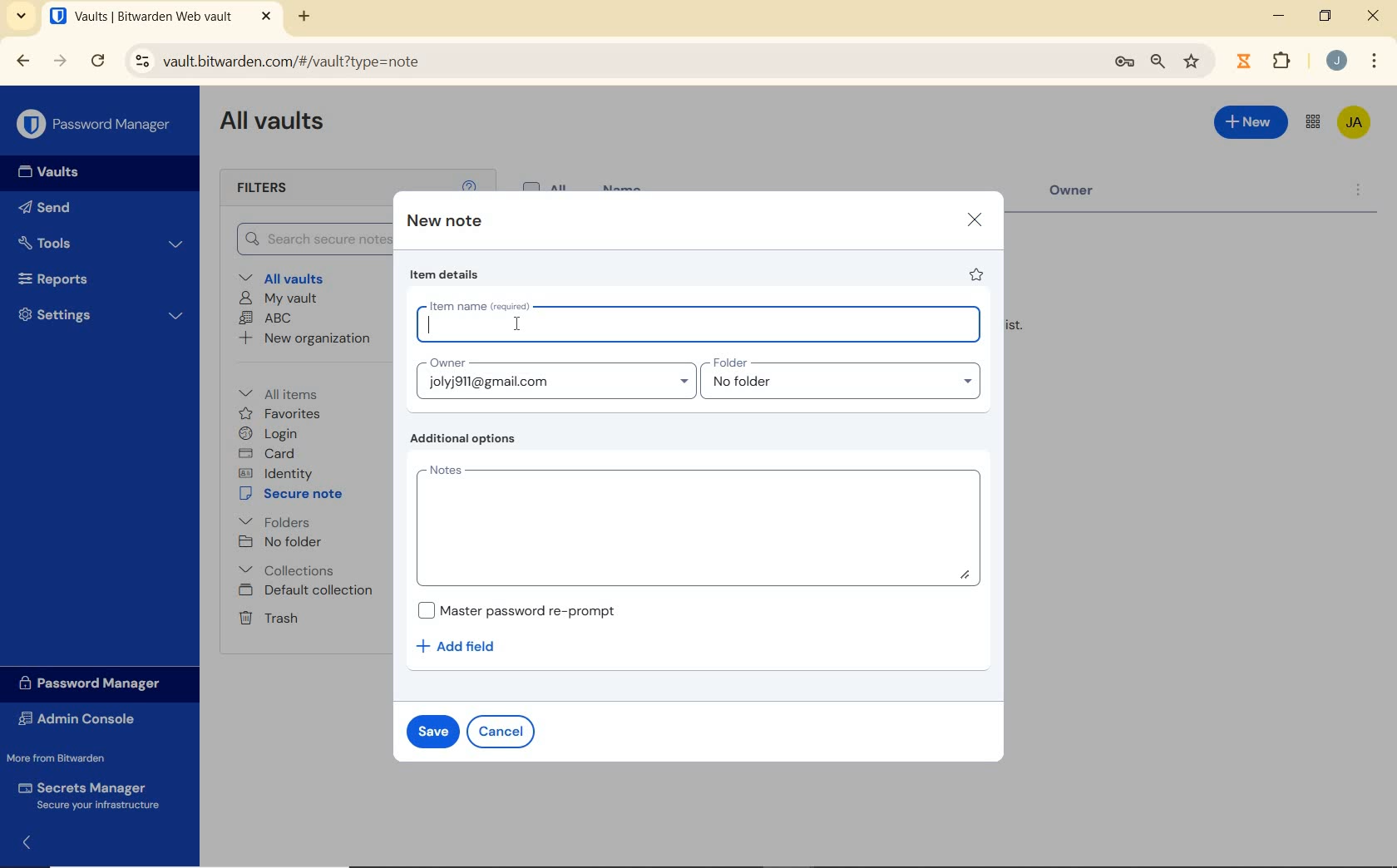  Describe the element at coordinates (442, 221) in the screenshot. I see `new note` at that location.